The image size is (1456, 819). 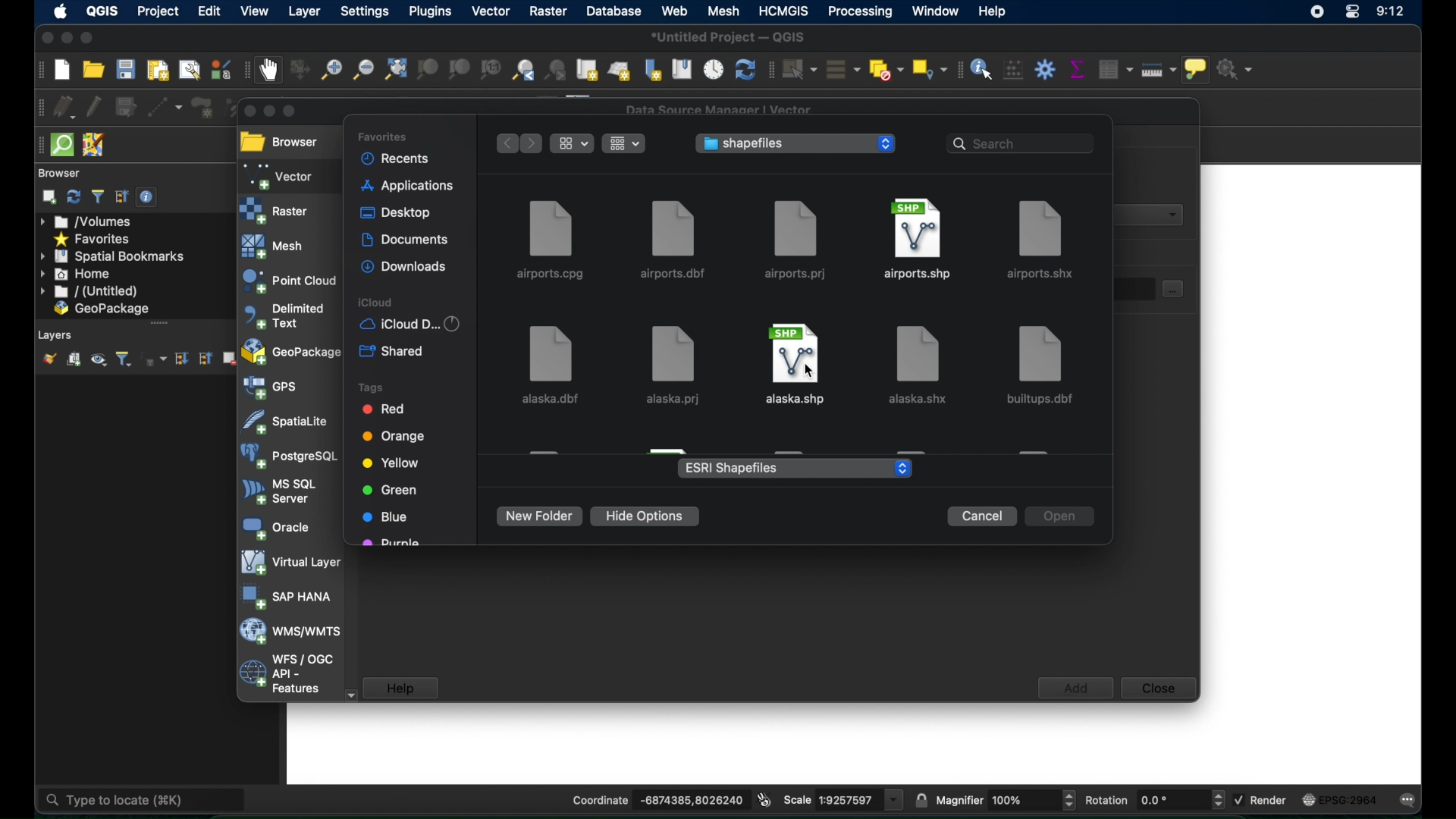 I want to click on file, so click(x=1040, y=366).